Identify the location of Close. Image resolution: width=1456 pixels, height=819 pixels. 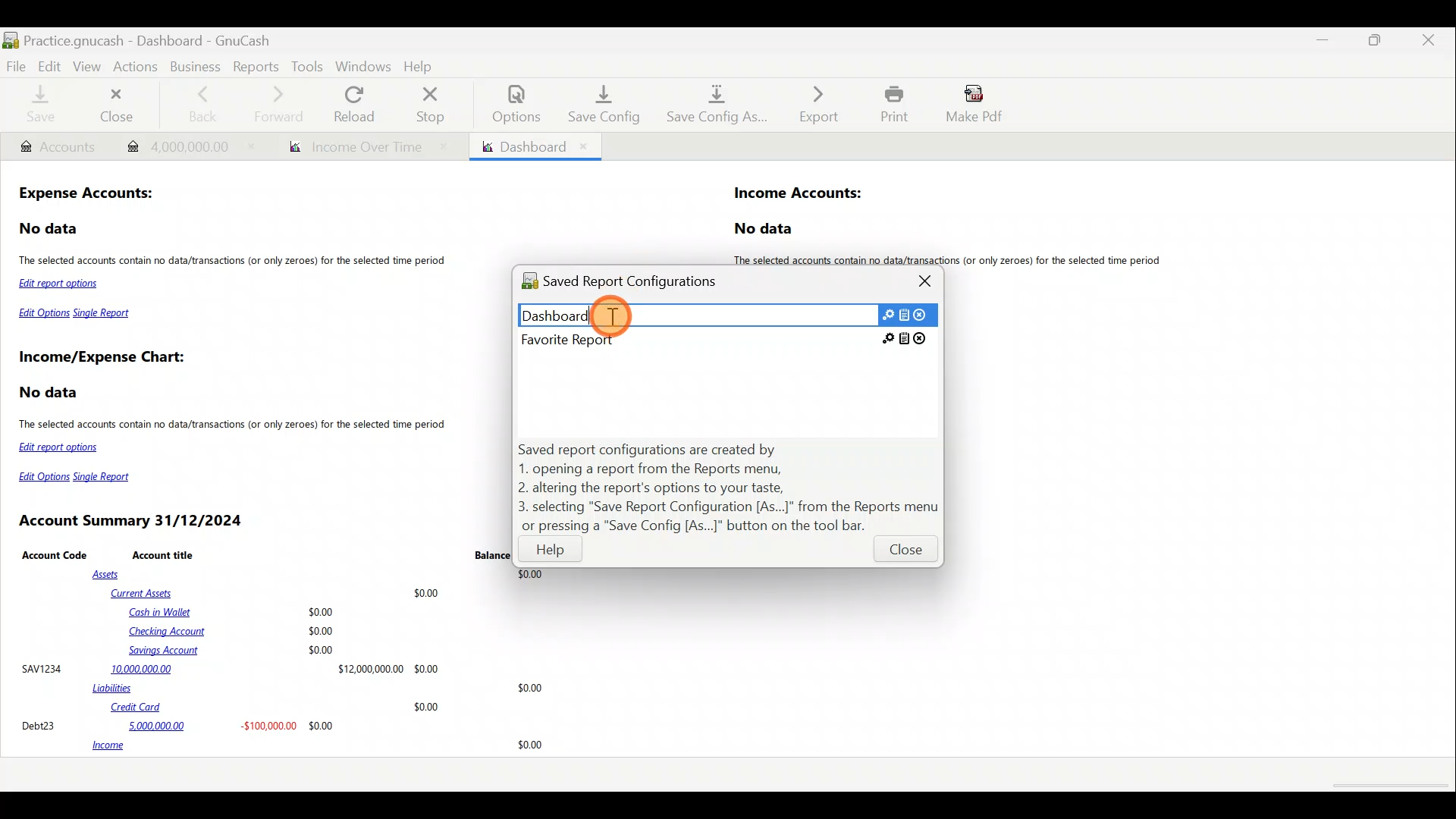
(120, 105).